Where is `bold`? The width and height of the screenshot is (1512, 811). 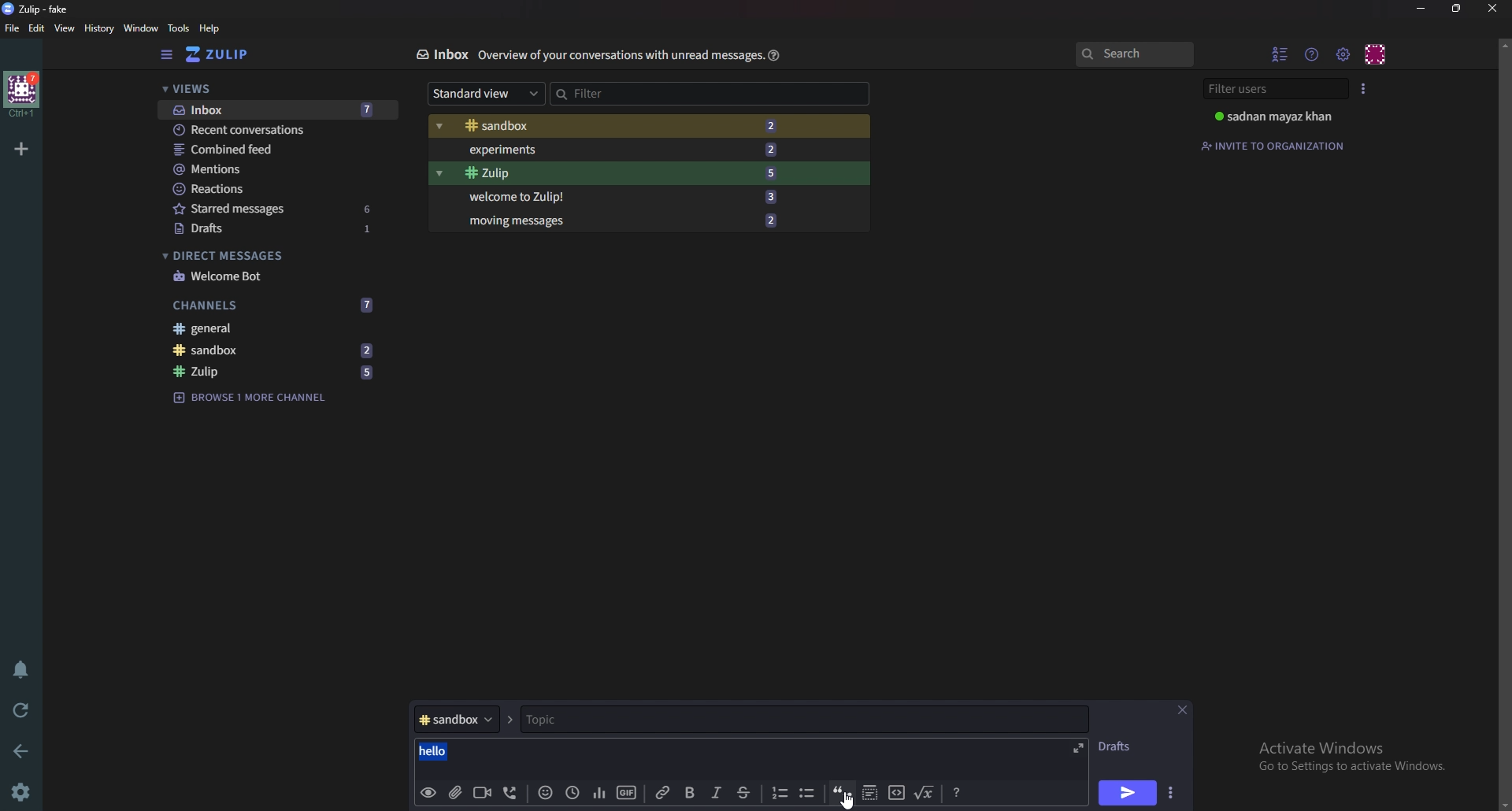
bold is located at coordinates (691, 794).